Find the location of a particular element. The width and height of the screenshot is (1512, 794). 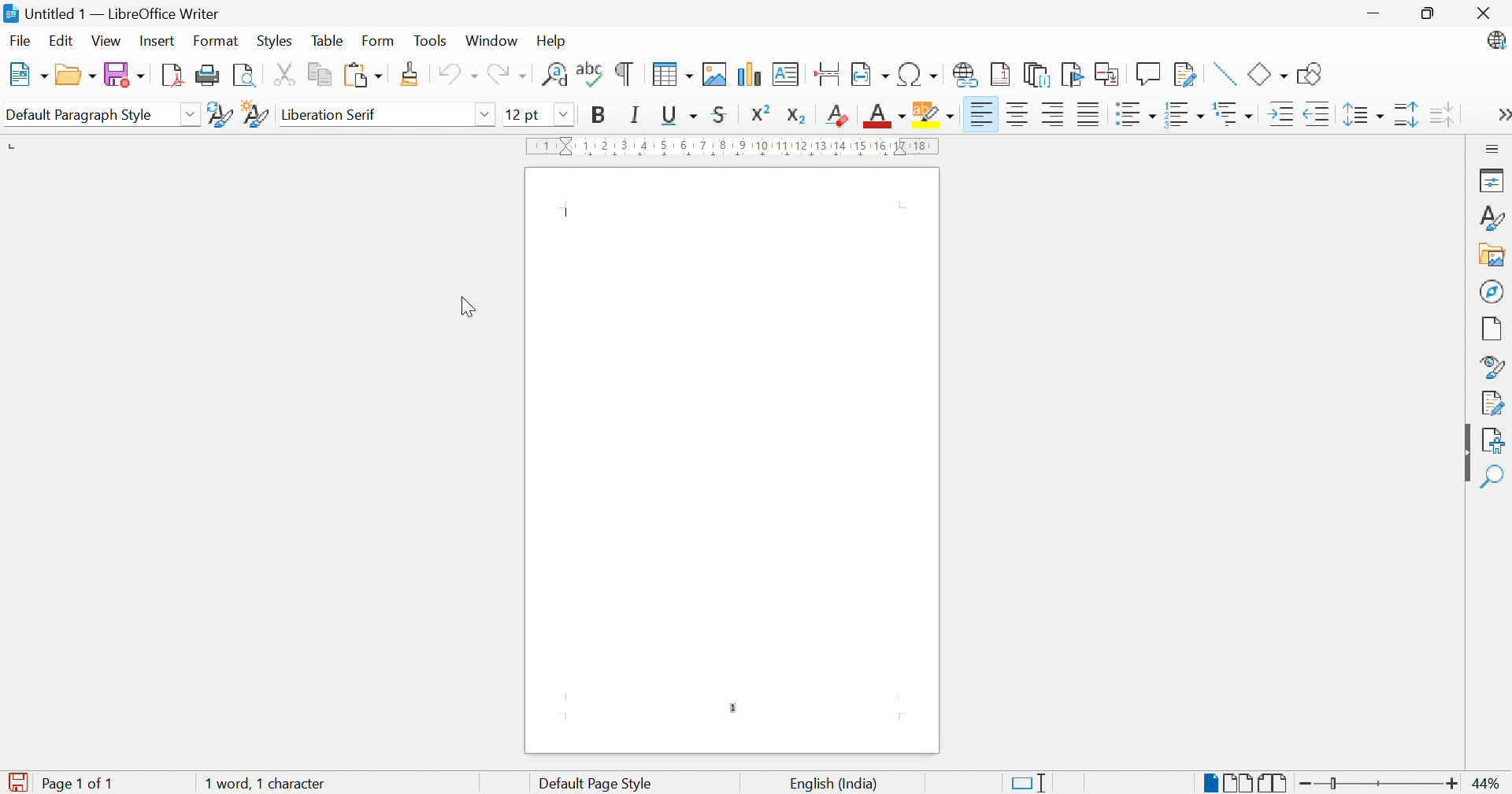

Page is located at coordinates (1493, 329).